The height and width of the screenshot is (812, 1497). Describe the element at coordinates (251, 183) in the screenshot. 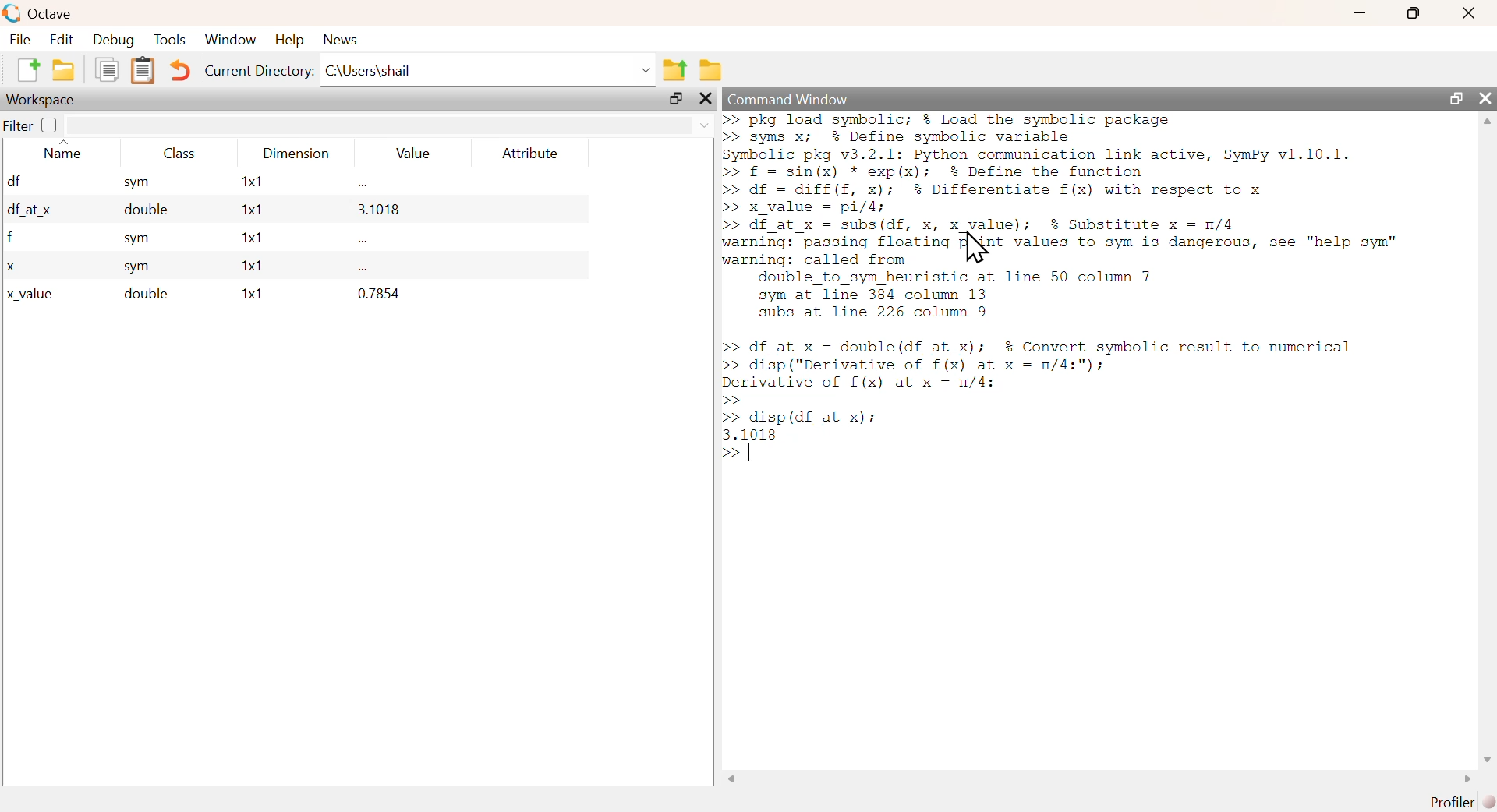

I see `1x1` at that location.